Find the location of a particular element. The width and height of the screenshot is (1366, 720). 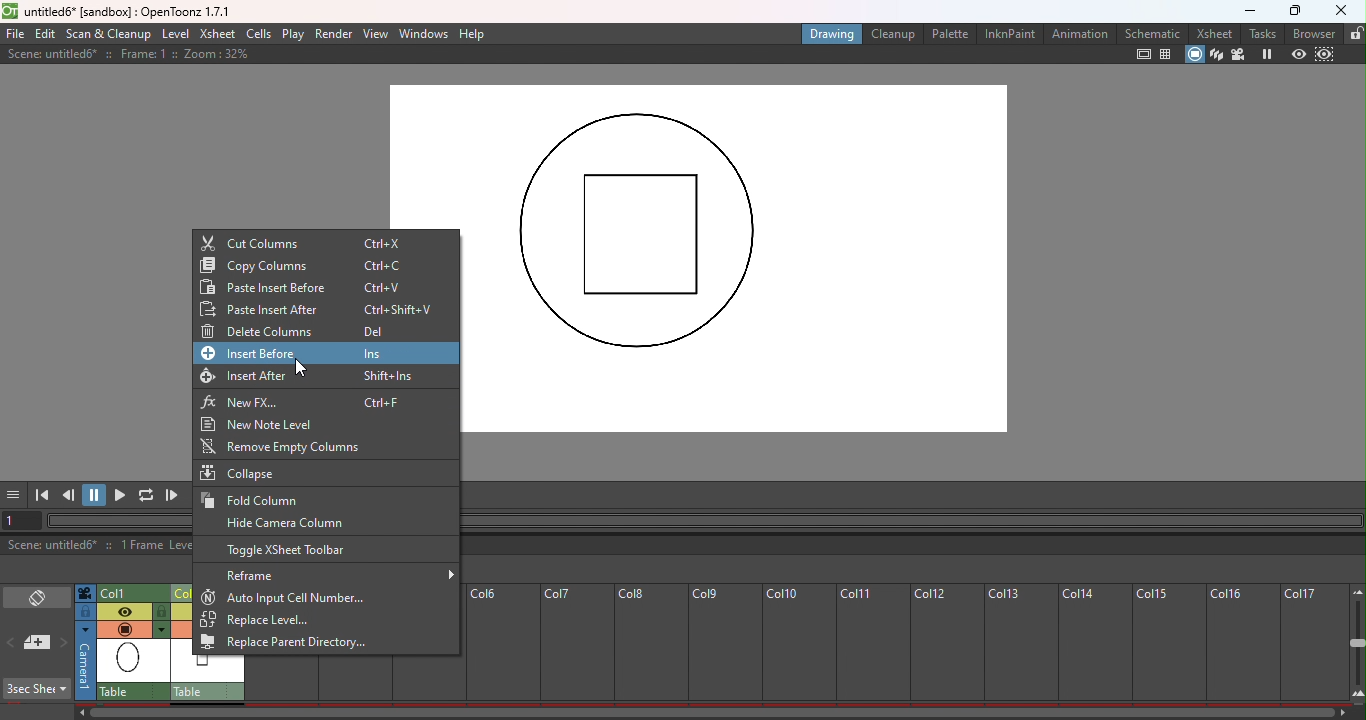

Click to select camera is located at coordinates (85, 612).